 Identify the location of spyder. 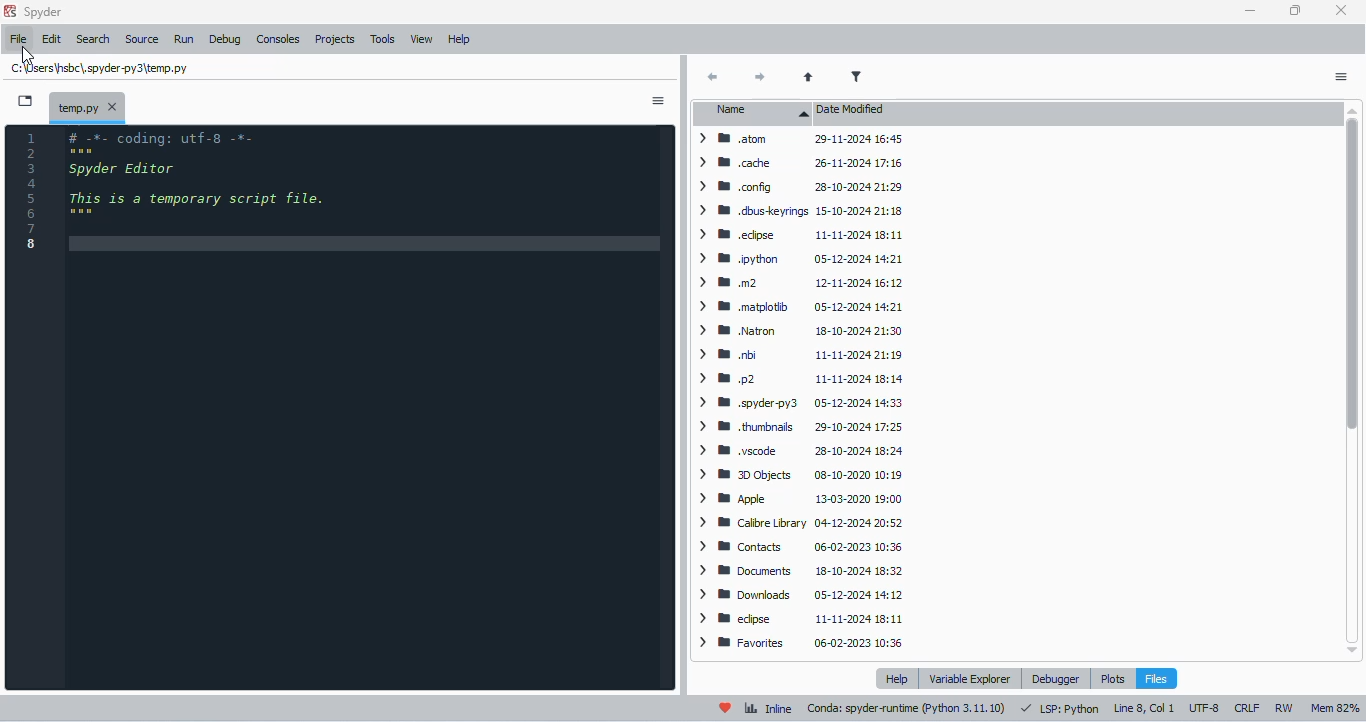
(44, 11).